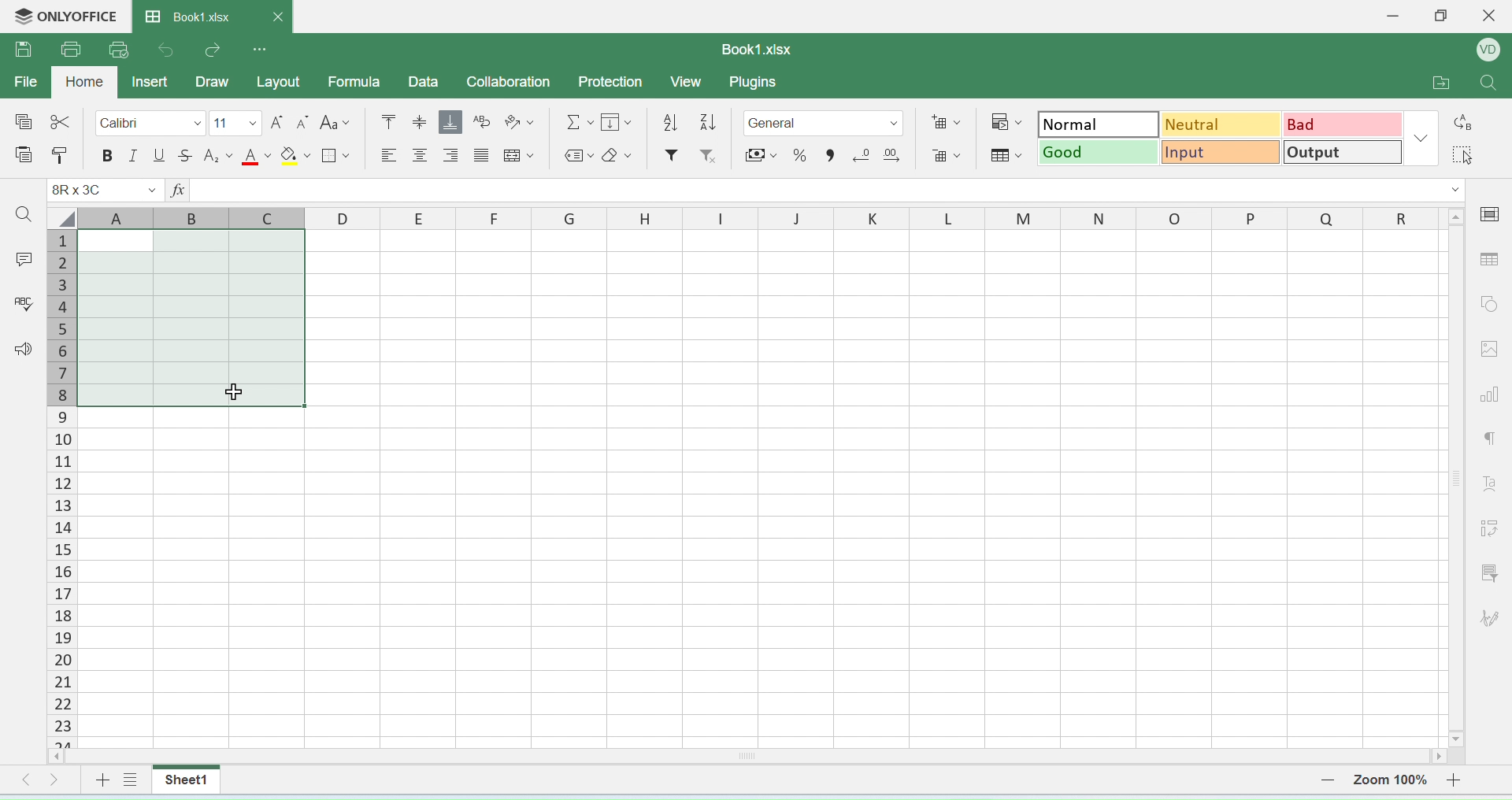  Describe the element at coordinates (576, 158) in the screenshot. I see `label` at that location.